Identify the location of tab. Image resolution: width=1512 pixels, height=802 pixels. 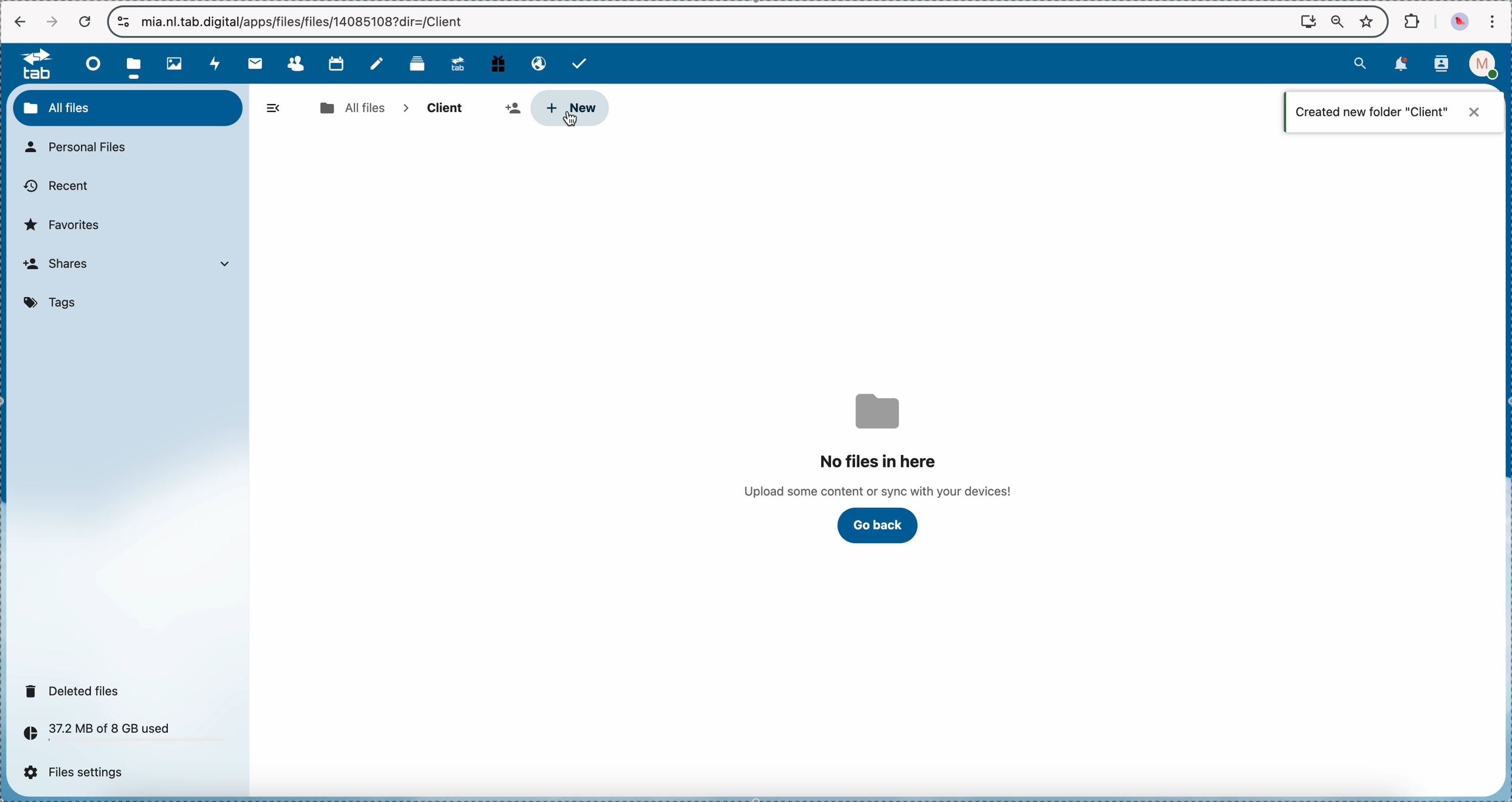
(31, 63).